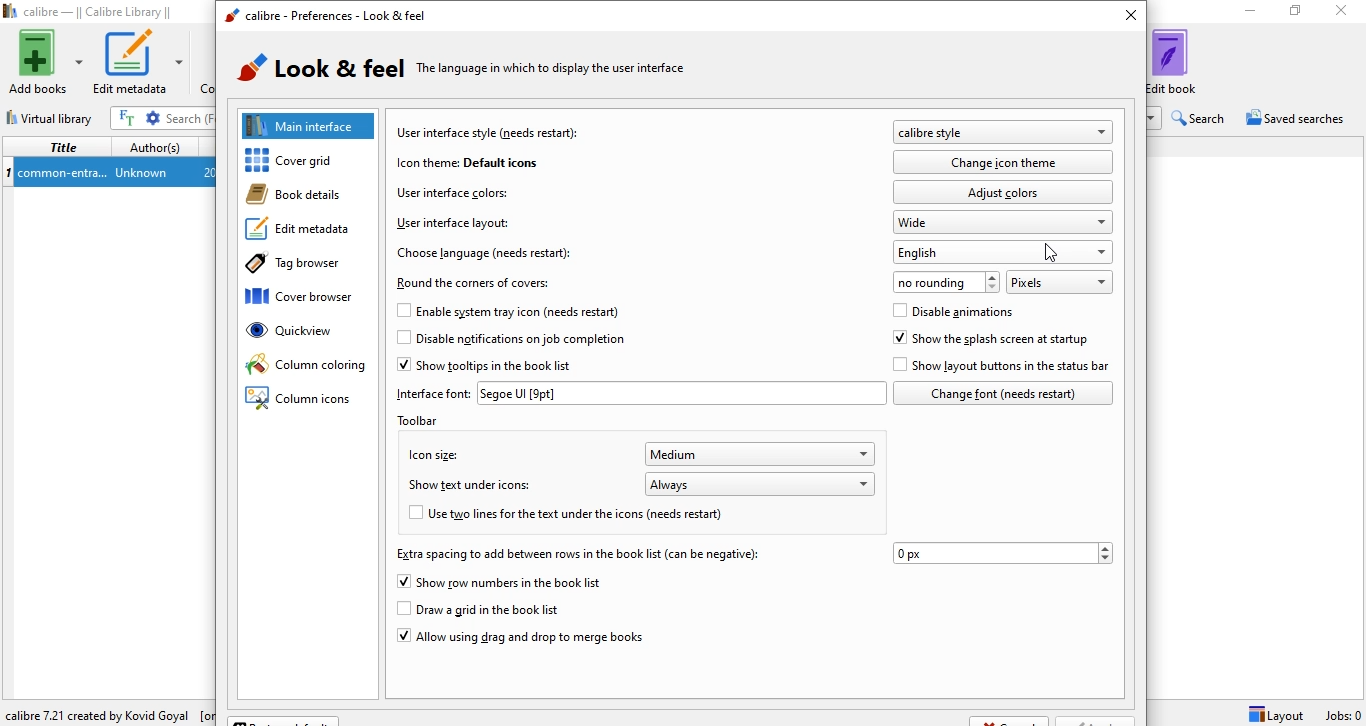  Describe the element at coordinates (303, 195) in the screenshot. I see `book details` at that location.